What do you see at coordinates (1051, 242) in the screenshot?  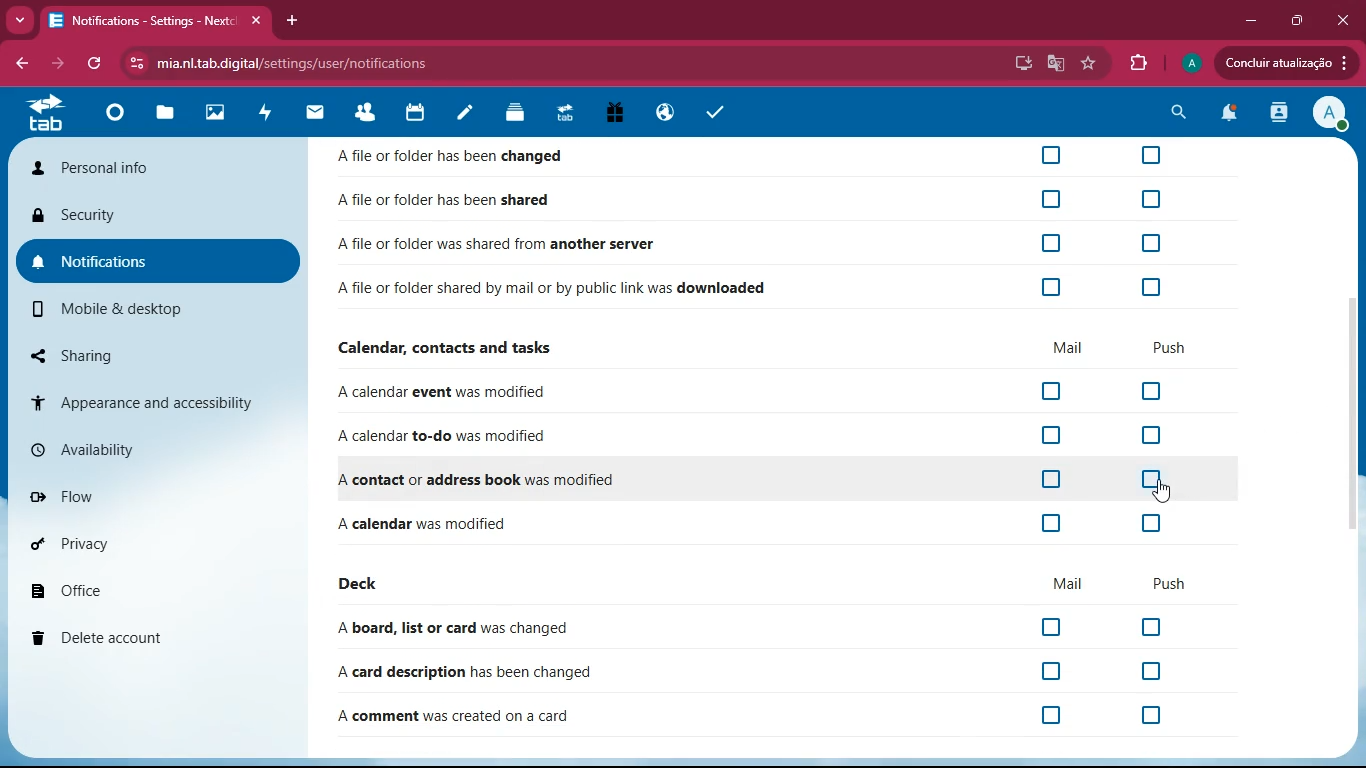 I see `off` at bounding box center [1051, 242].